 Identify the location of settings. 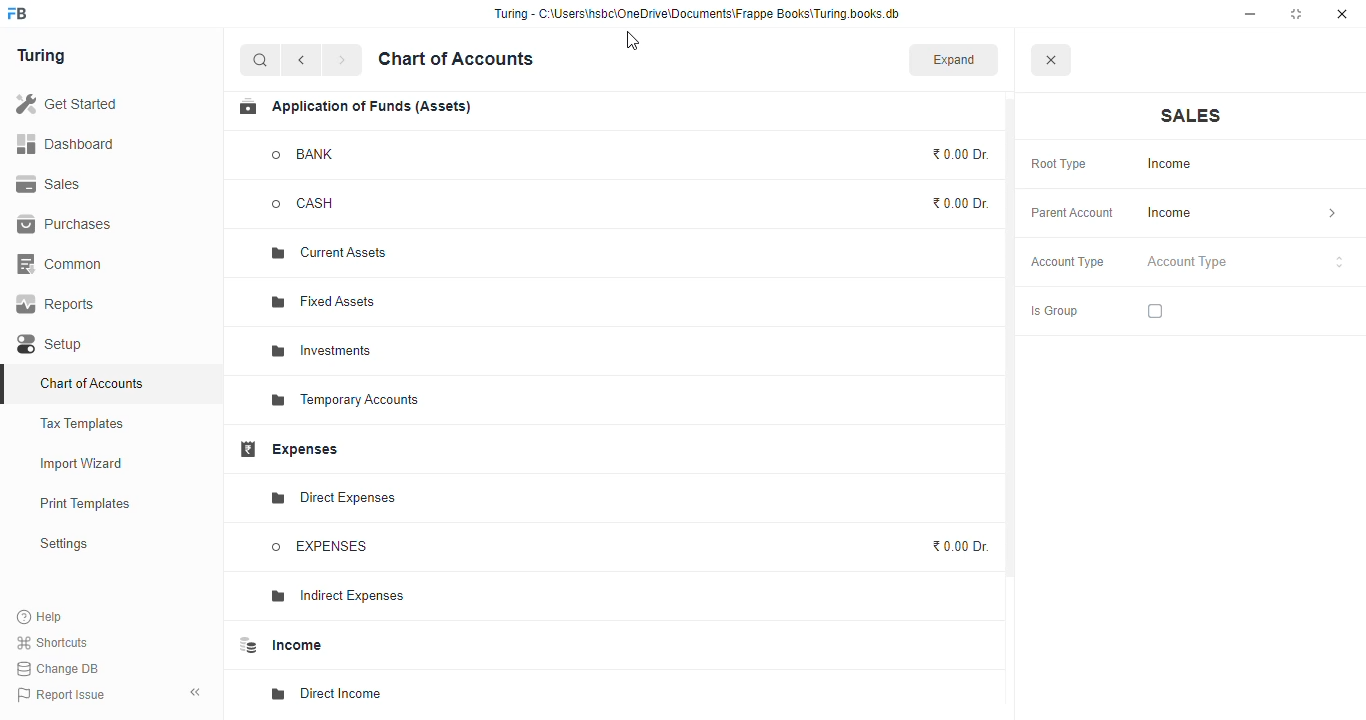
(63, 543).